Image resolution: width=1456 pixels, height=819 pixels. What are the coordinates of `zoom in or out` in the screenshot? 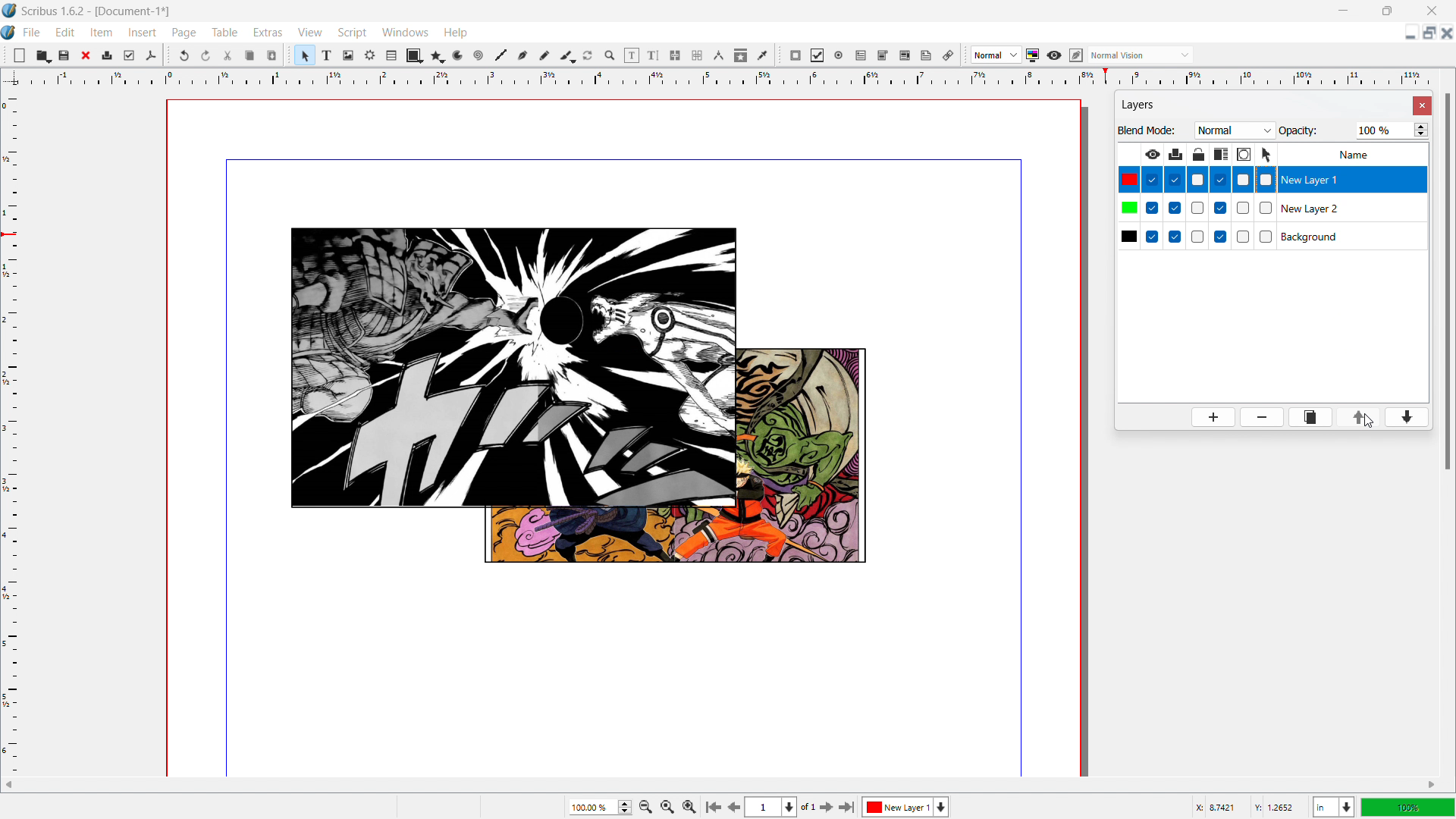 It's located at (610, 55).